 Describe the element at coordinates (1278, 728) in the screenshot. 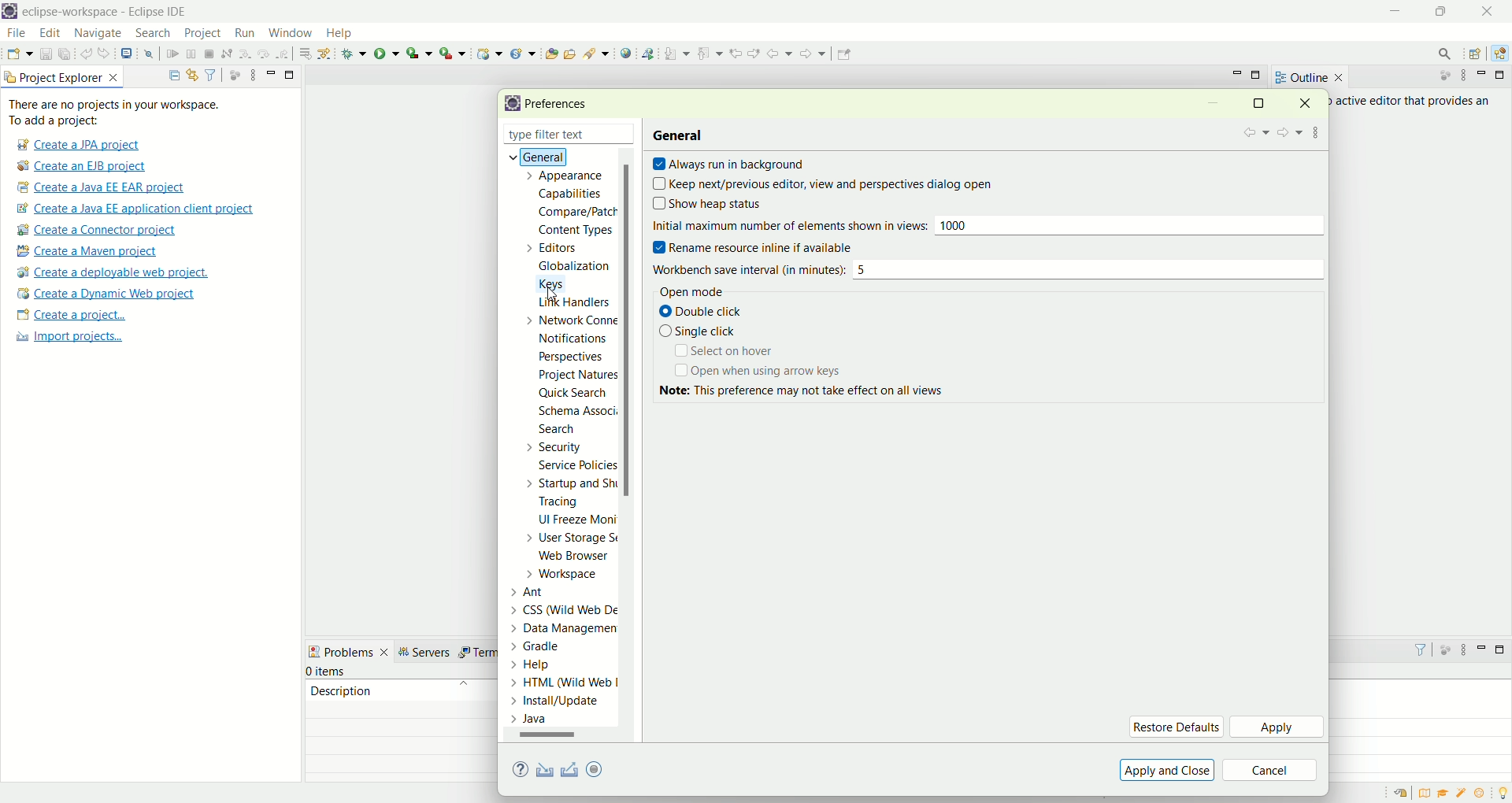

I see `apply` at that location.